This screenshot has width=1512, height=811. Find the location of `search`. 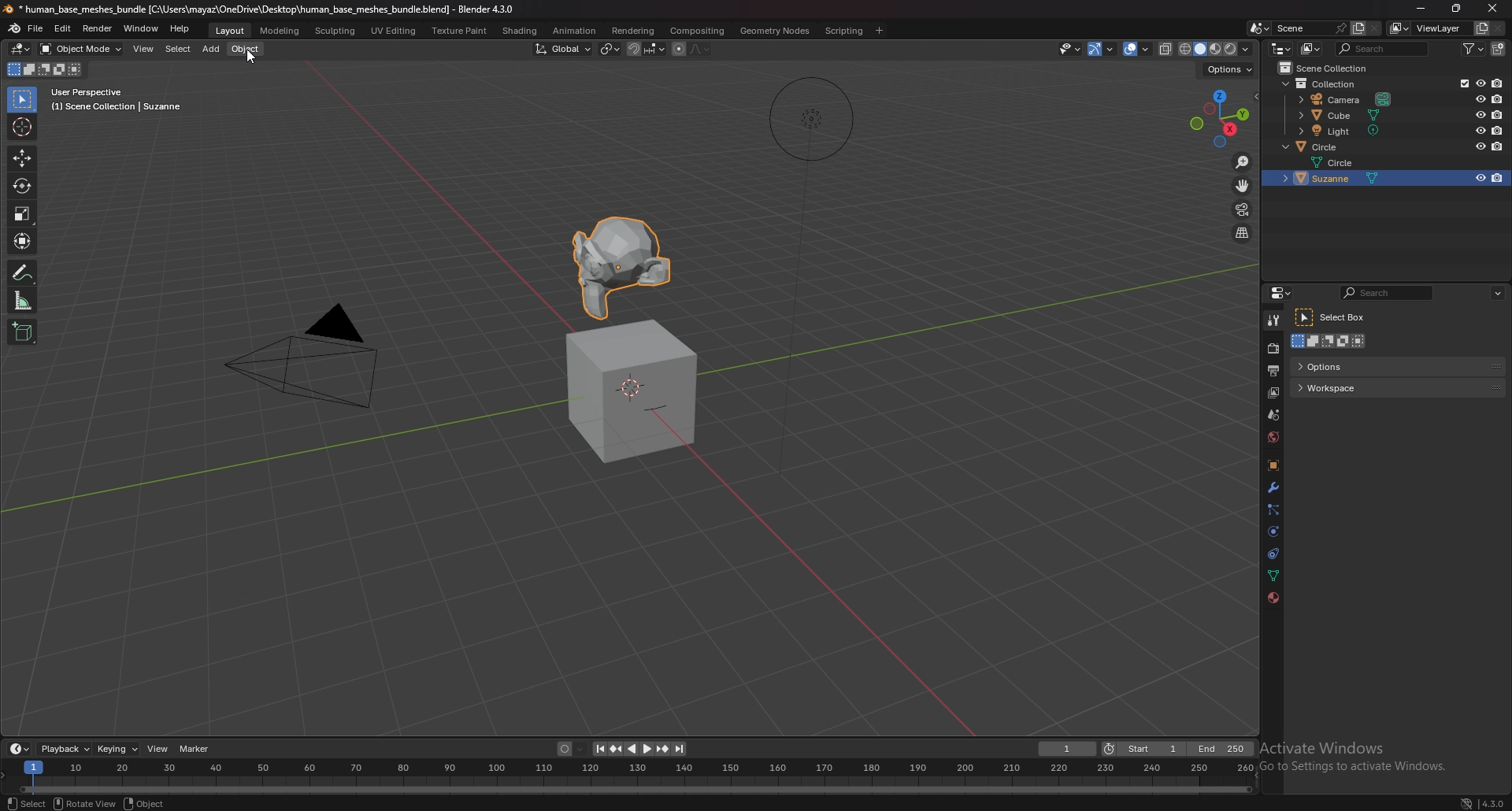

search is located at coordinates (1388, 293).